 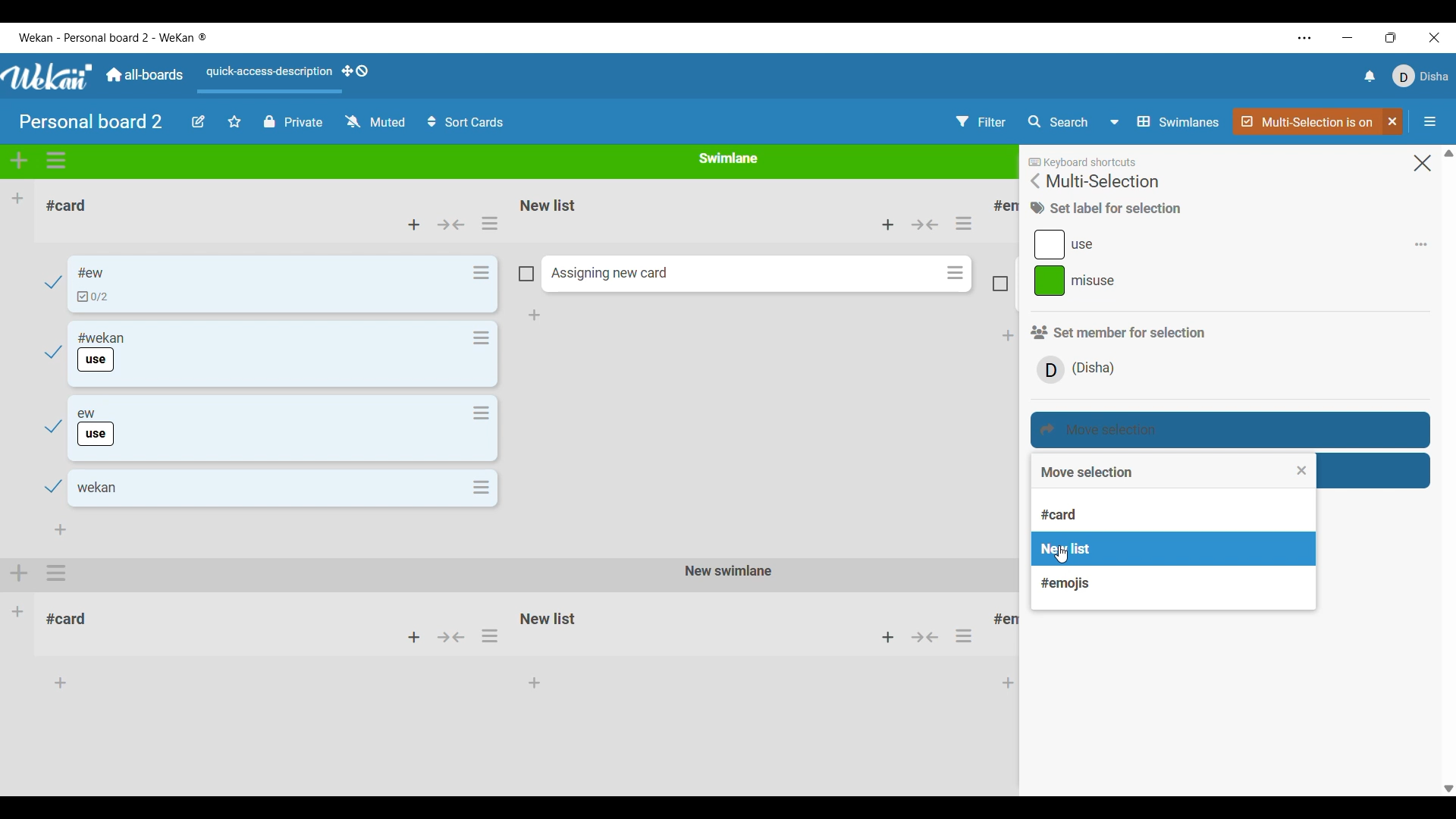 I want to click on Quick slide to top, so click(x=1449, y=153).